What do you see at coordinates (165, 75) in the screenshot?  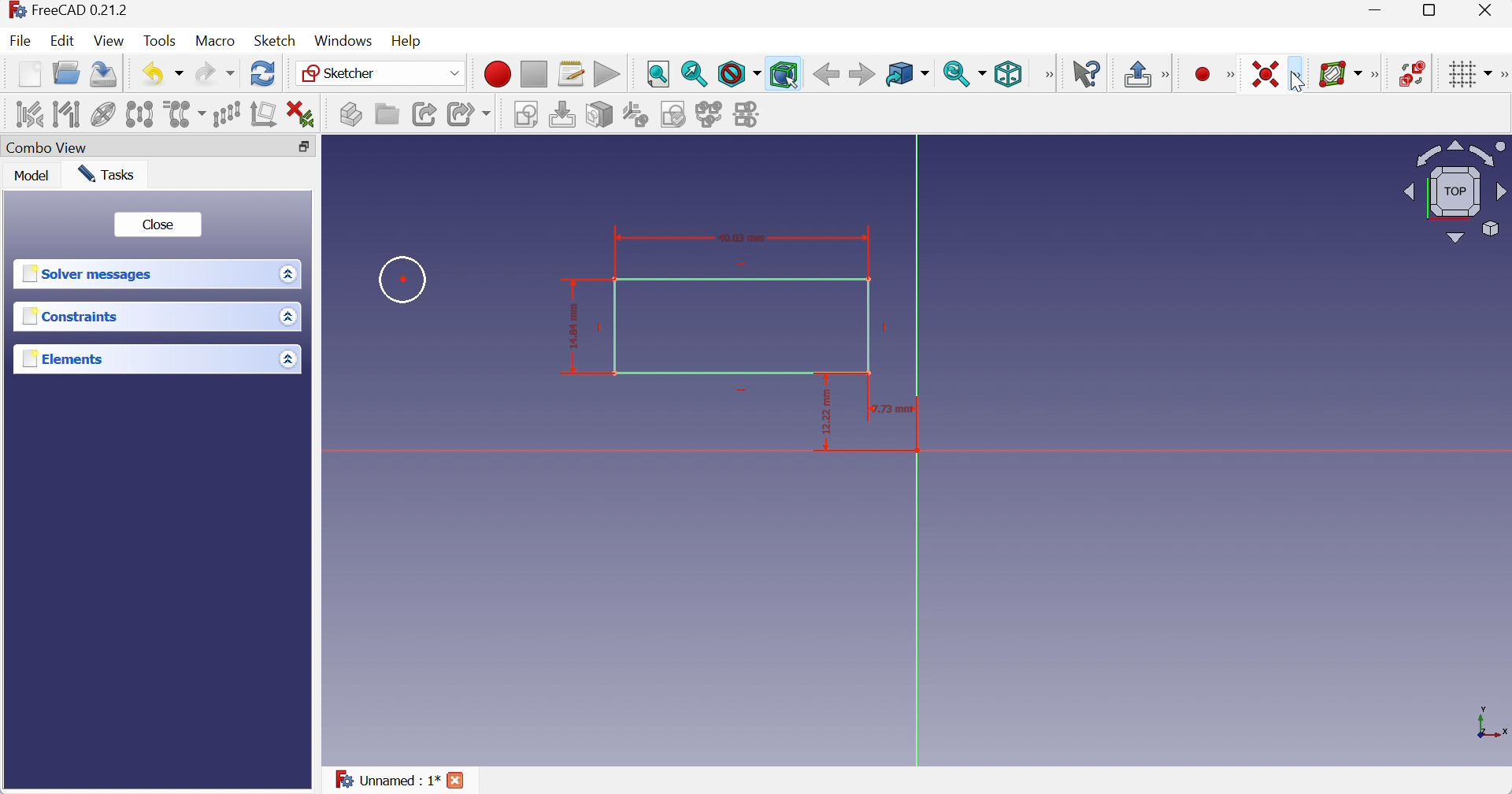 I see `Undo` at bounding box center [165, 75].